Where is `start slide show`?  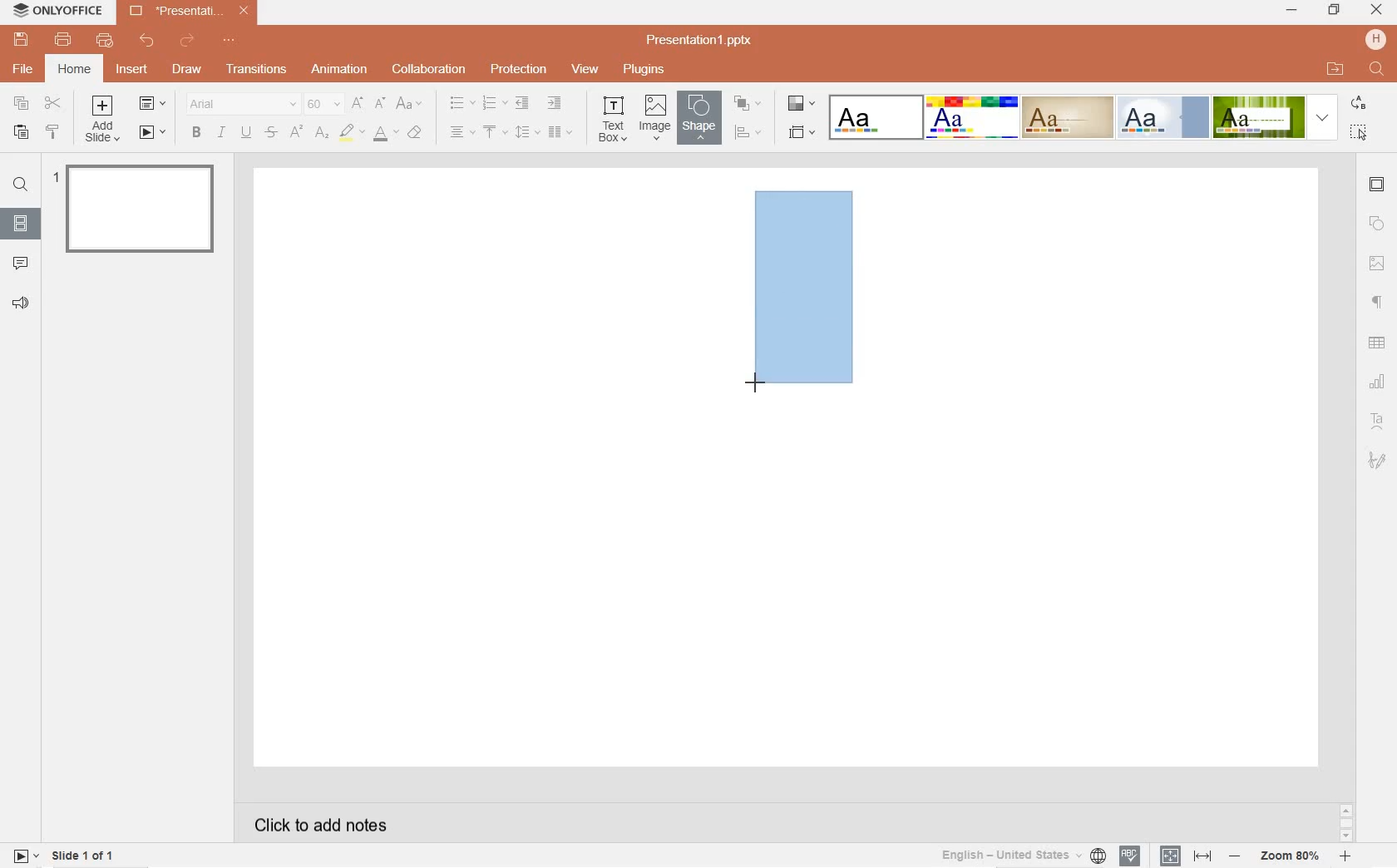 start slide show is located at coordinates (26, 855).